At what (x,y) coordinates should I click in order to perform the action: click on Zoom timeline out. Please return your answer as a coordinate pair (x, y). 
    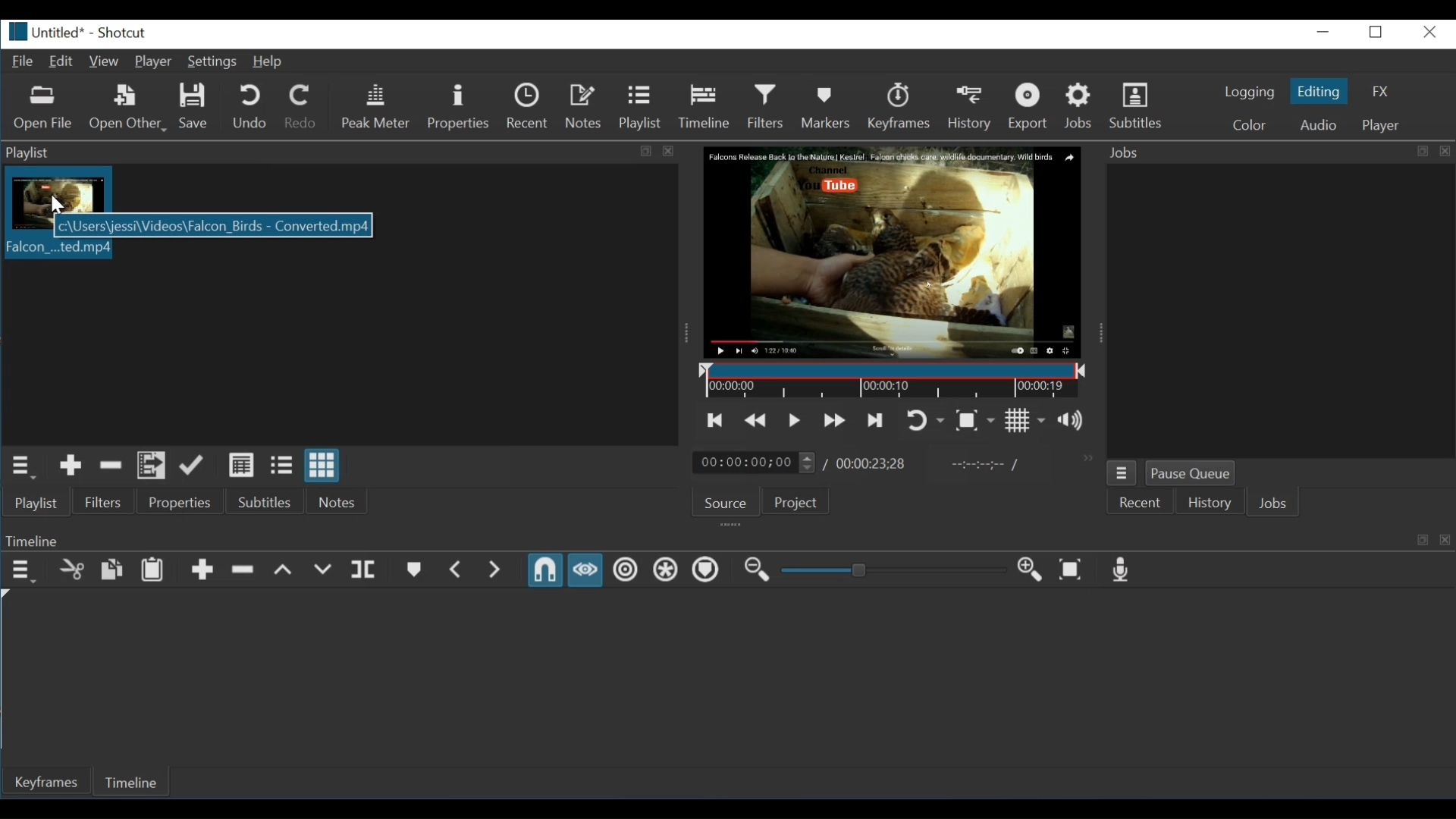
    Looking at the image, I should click on (756, 570).